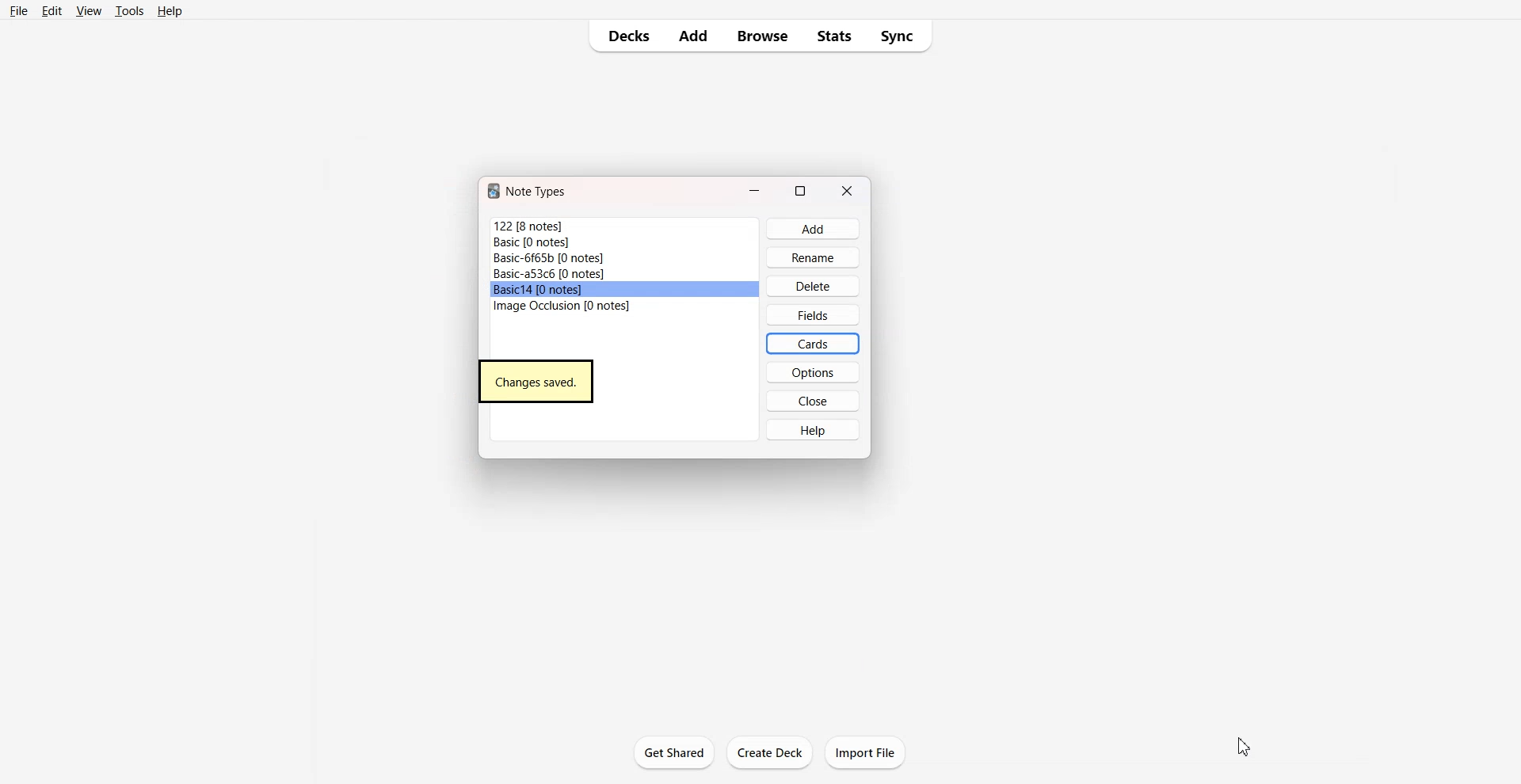 The width and height of the screenshot is (1521, 784). Describe the element at coordinates (848, 190) in the screenshot. I see `Close` at that location.